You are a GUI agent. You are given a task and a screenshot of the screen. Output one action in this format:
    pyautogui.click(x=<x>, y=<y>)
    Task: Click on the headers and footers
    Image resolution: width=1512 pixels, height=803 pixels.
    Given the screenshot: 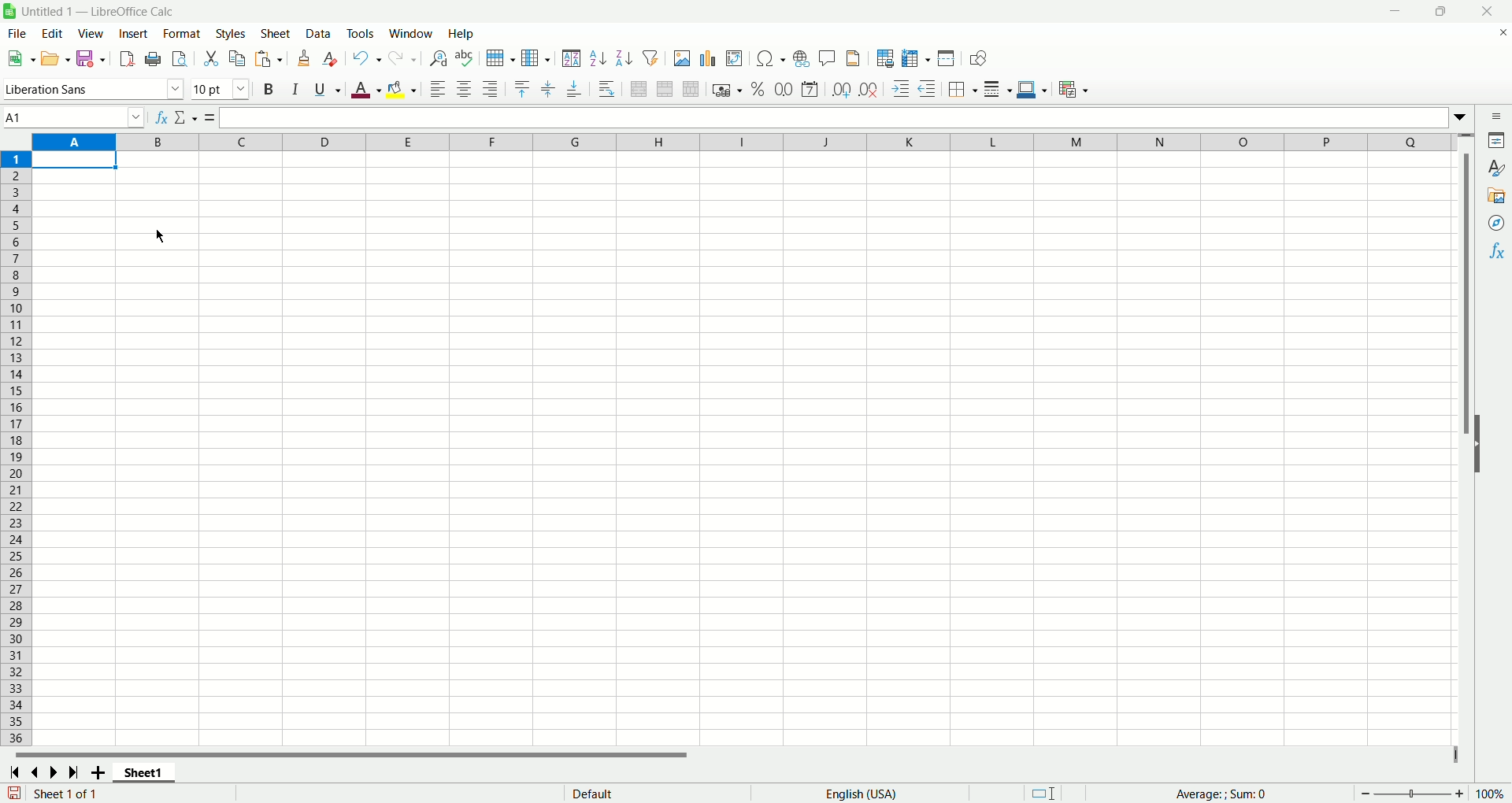 What is the action you would take?
    pyautogui.click(x=856, y=58)
    